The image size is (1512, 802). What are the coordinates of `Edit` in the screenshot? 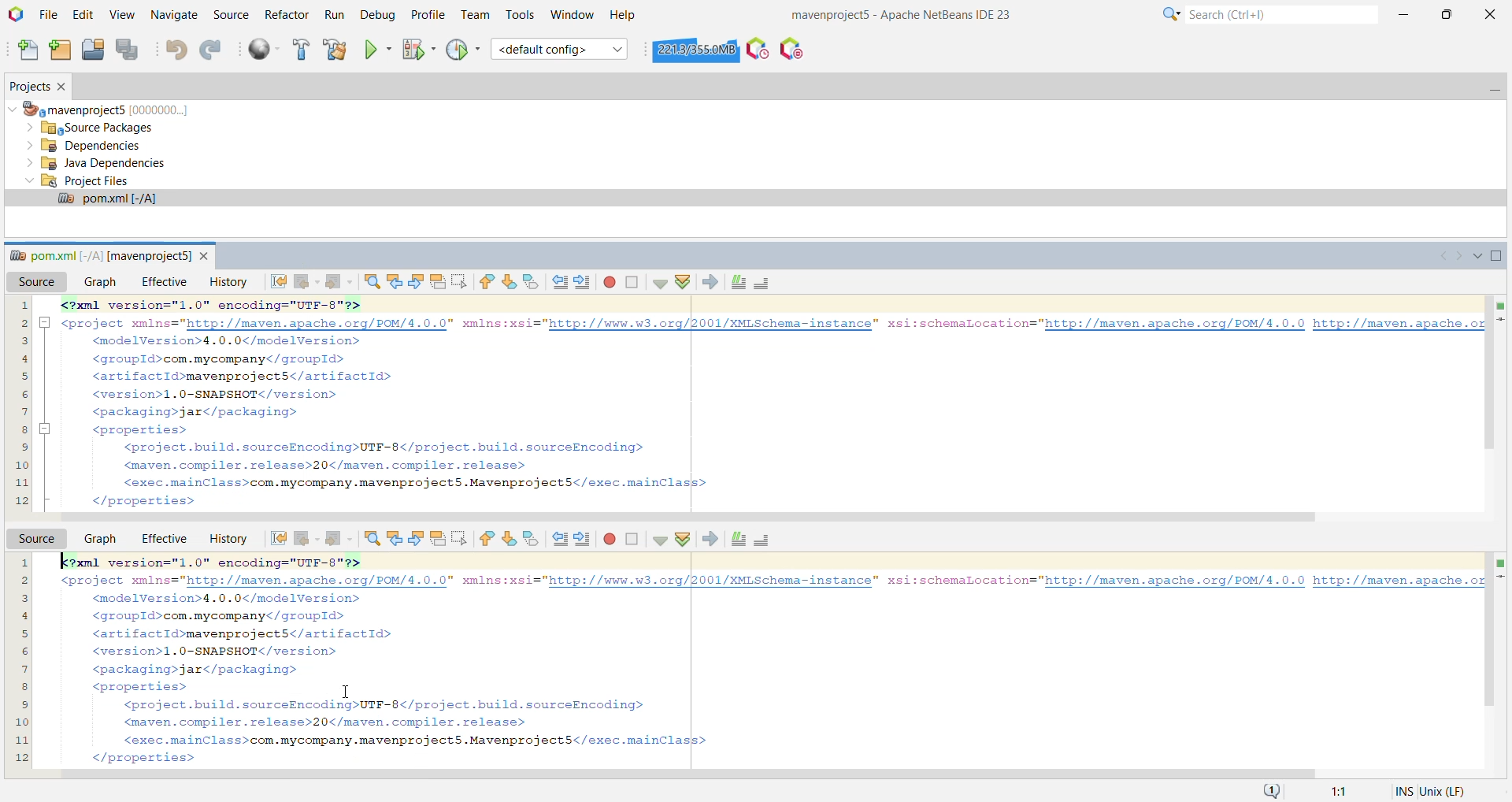 It's located at (85, 15).